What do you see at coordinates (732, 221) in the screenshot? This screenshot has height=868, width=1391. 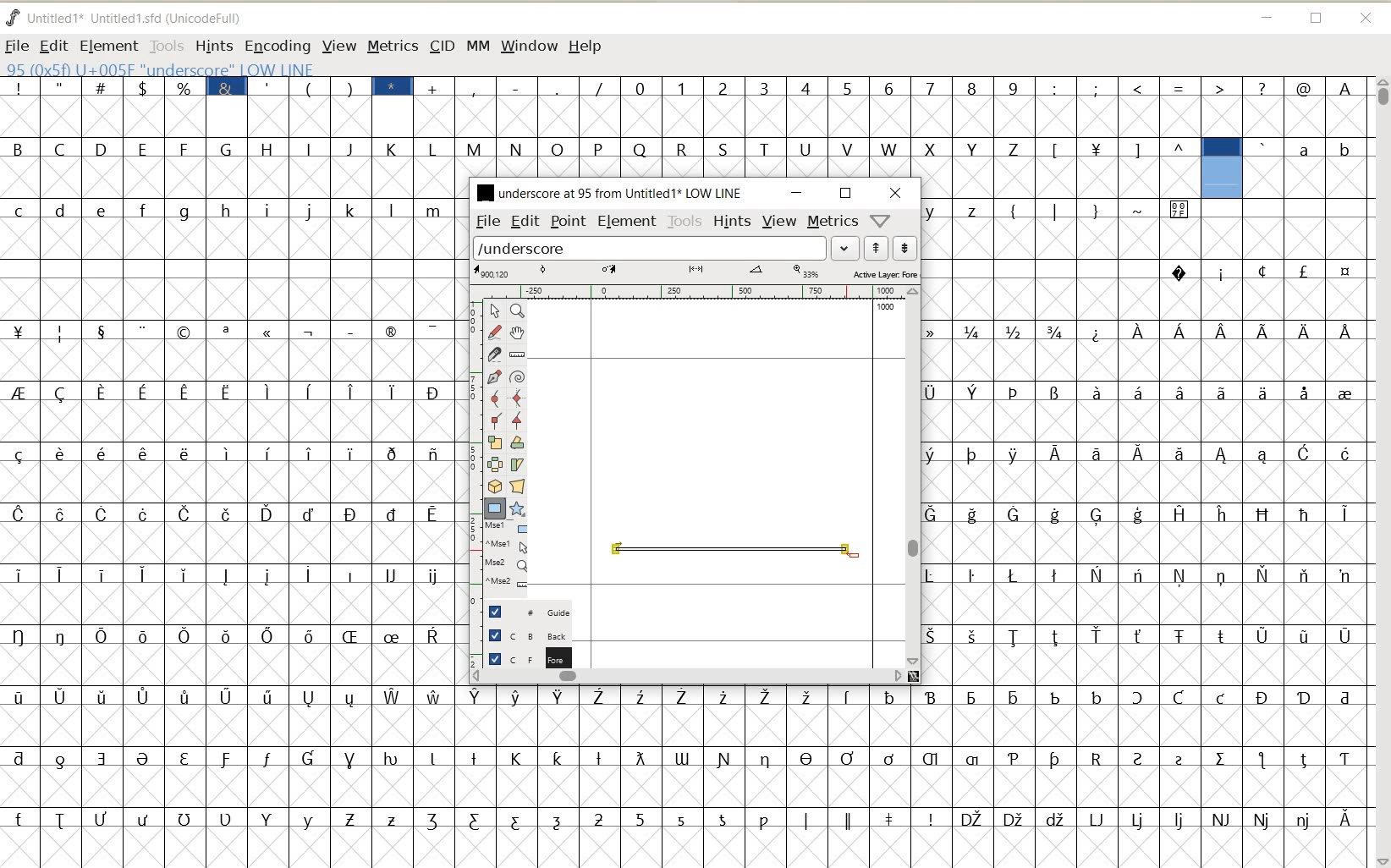 I see `HINTS` at bounding box center [732, 221].